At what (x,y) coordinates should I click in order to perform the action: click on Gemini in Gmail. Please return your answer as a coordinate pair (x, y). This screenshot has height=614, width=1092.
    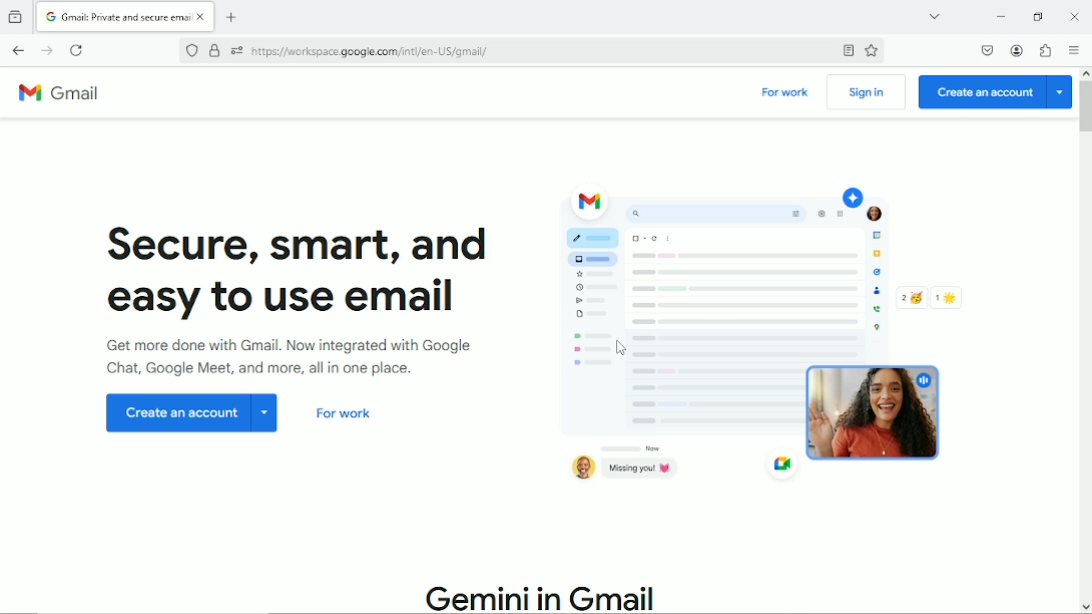
    Looking at the image, I should click on (543, 597).